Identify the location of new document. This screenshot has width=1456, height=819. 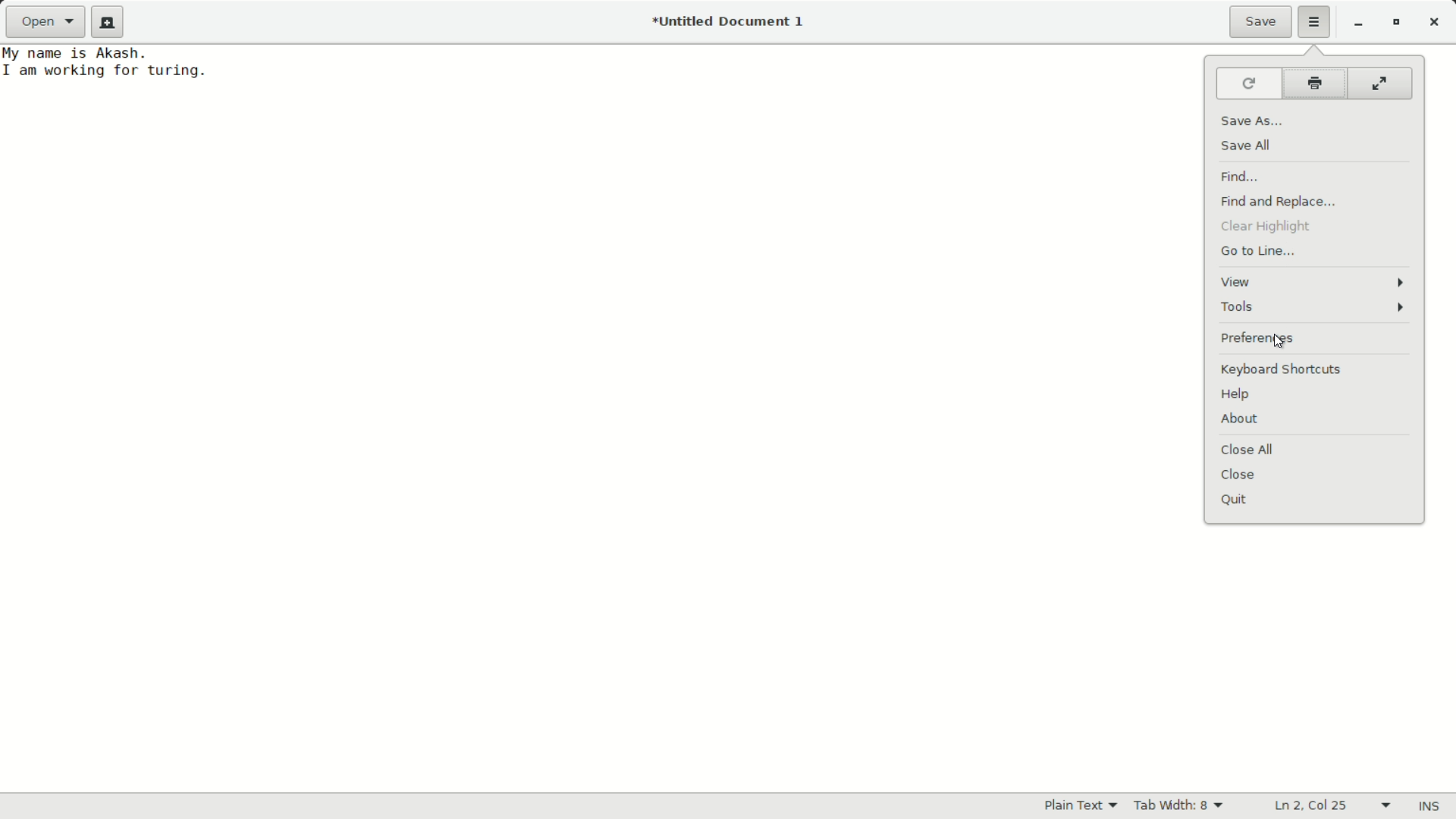
(108, 22).